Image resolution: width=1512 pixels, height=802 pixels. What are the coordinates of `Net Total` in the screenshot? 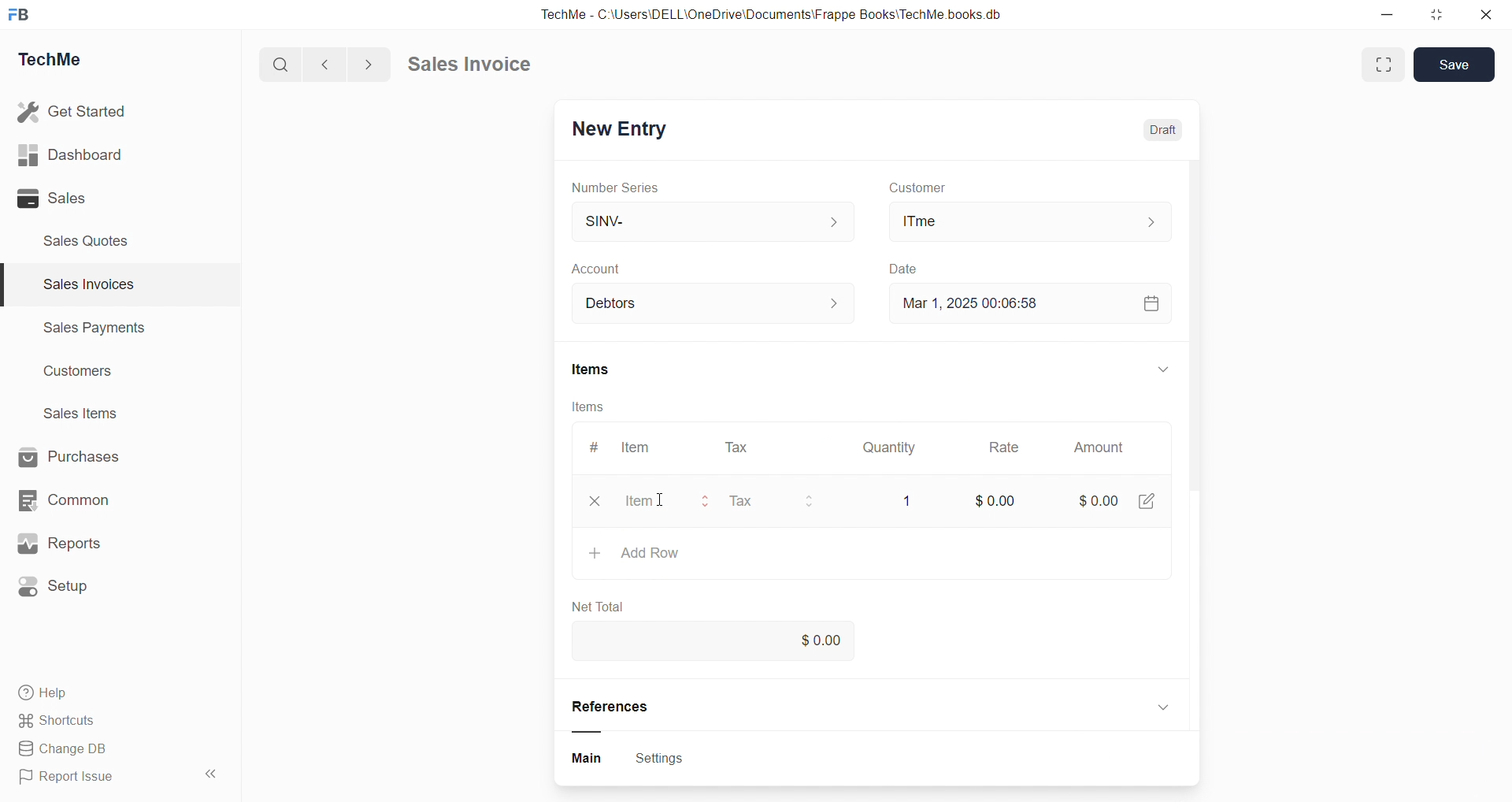 It's located at (603, 602).